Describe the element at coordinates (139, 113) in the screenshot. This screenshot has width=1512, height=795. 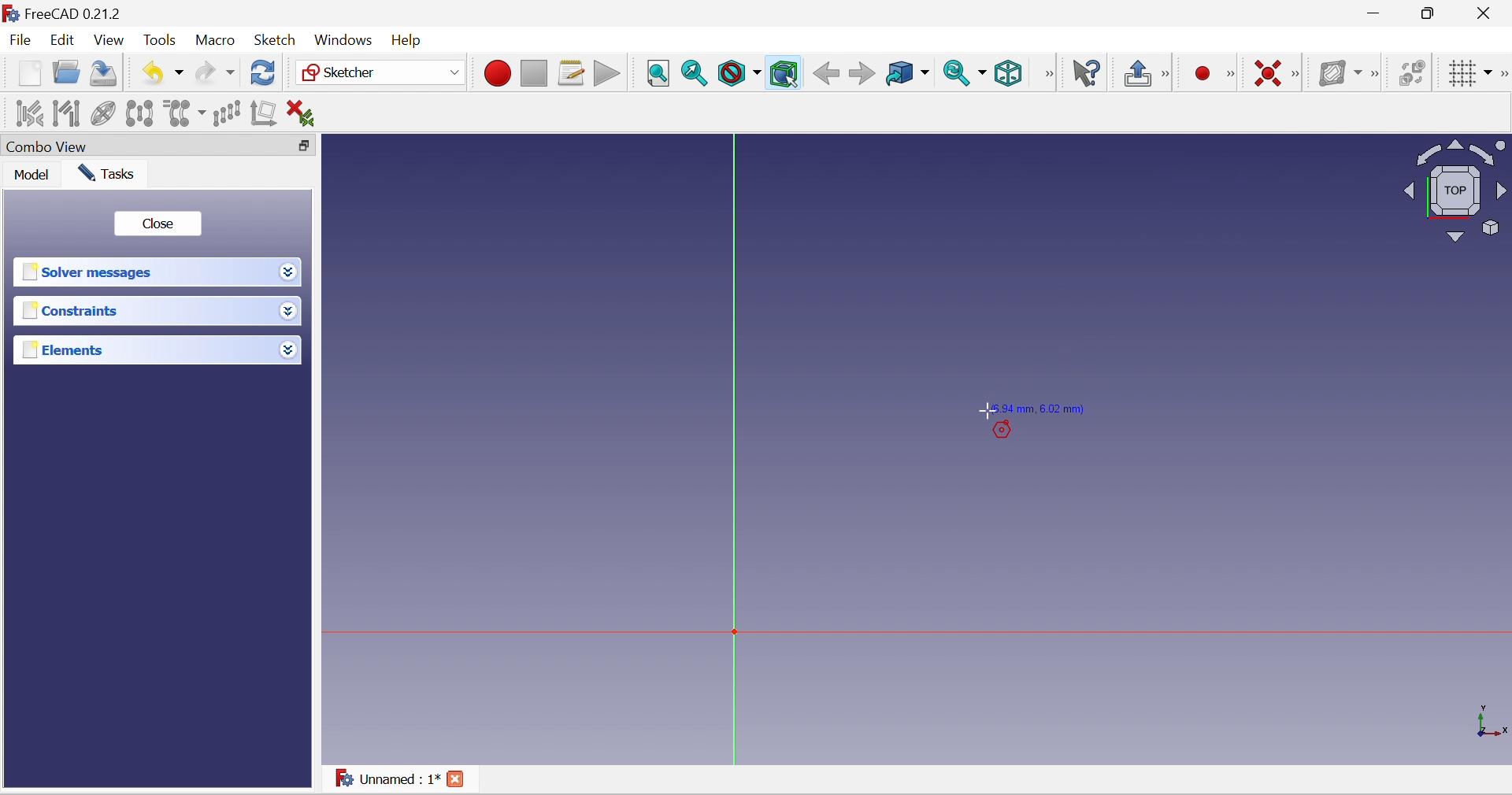
I see `Symmetry` at that location.